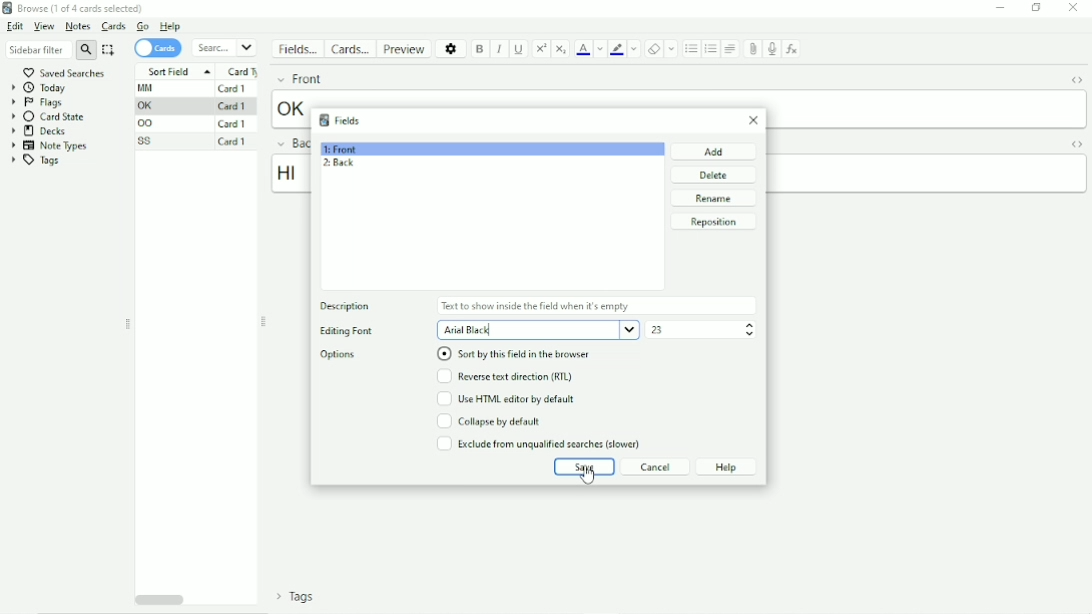 The height and width of the screenshot is (614, 1092). Describe the element at coordinates (713, 222) in the screenshot. I see `Reposition` at that location.